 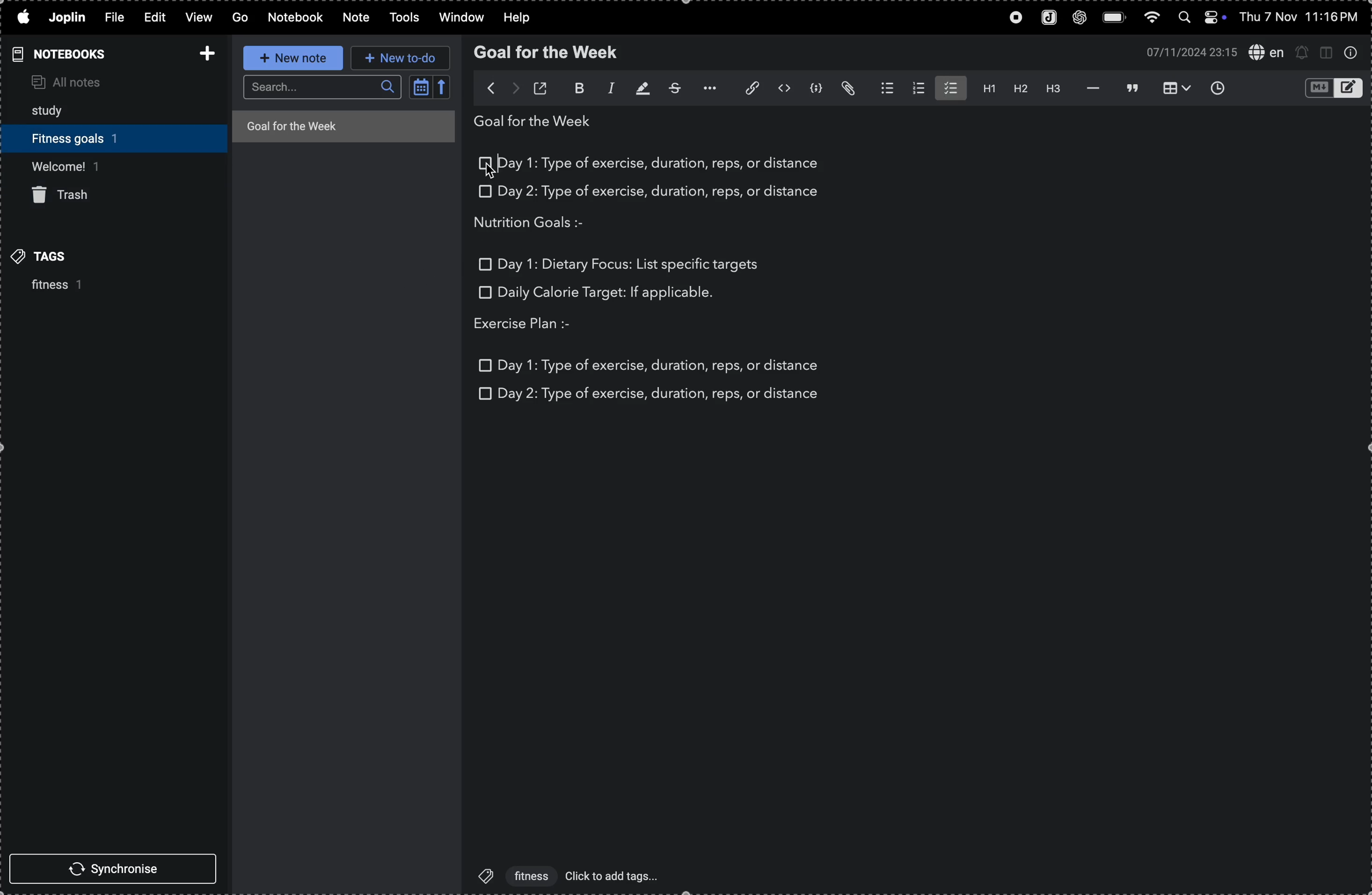 I want to click on wifi, so click(x=1152, y=17).